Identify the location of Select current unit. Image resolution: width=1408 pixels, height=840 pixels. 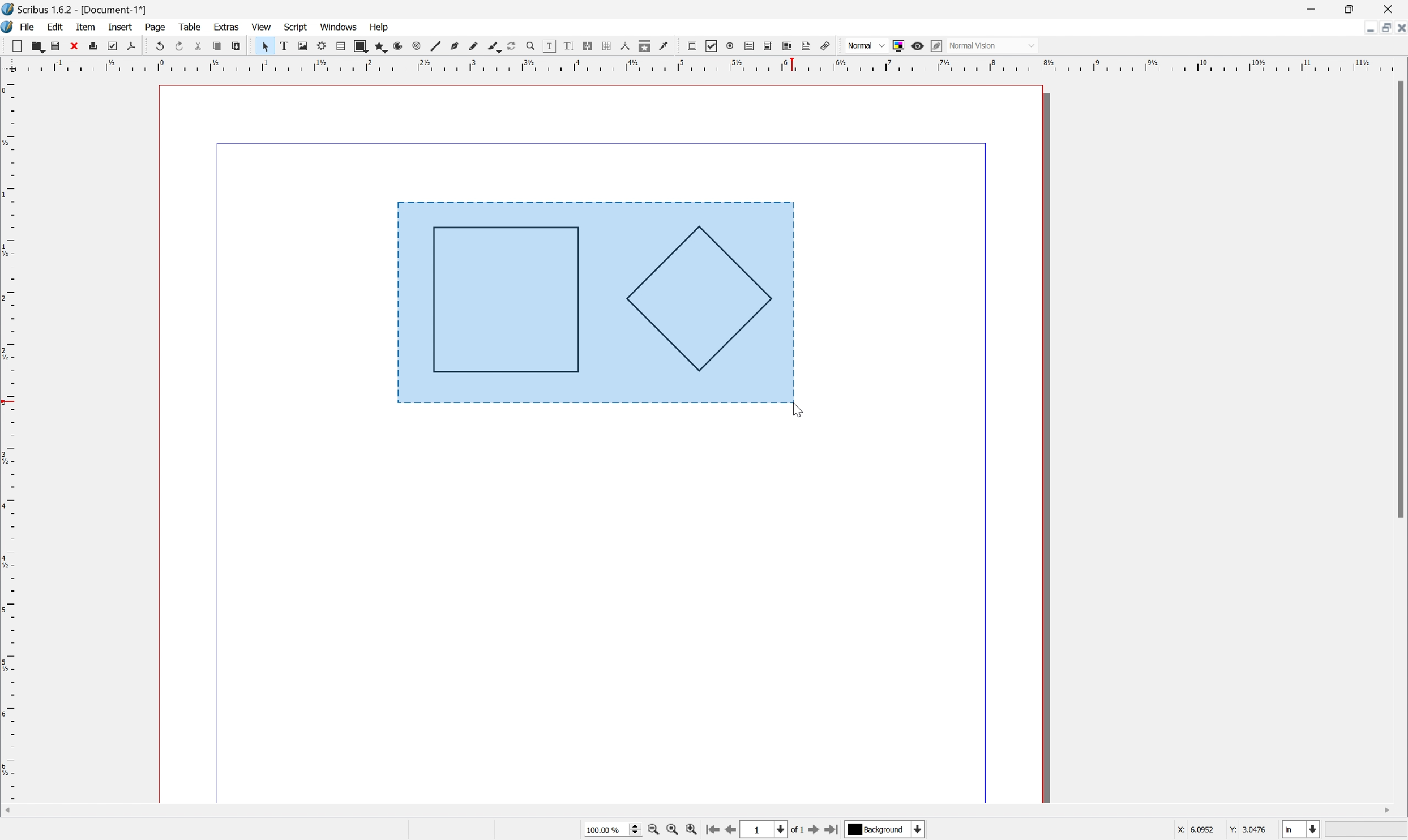
(1301, 830).